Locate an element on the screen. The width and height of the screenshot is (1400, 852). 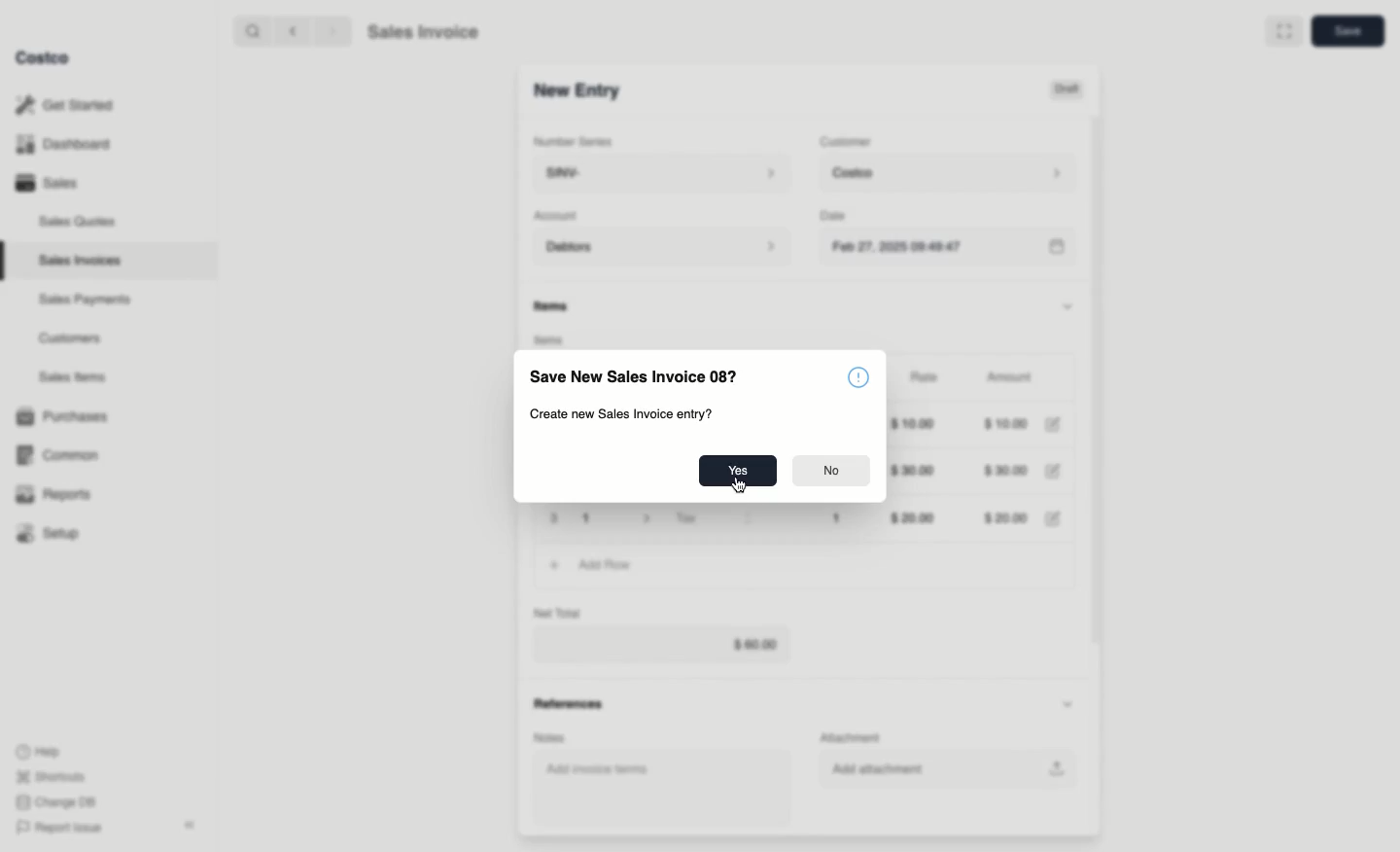
Common is located at coordinates (53, 453).